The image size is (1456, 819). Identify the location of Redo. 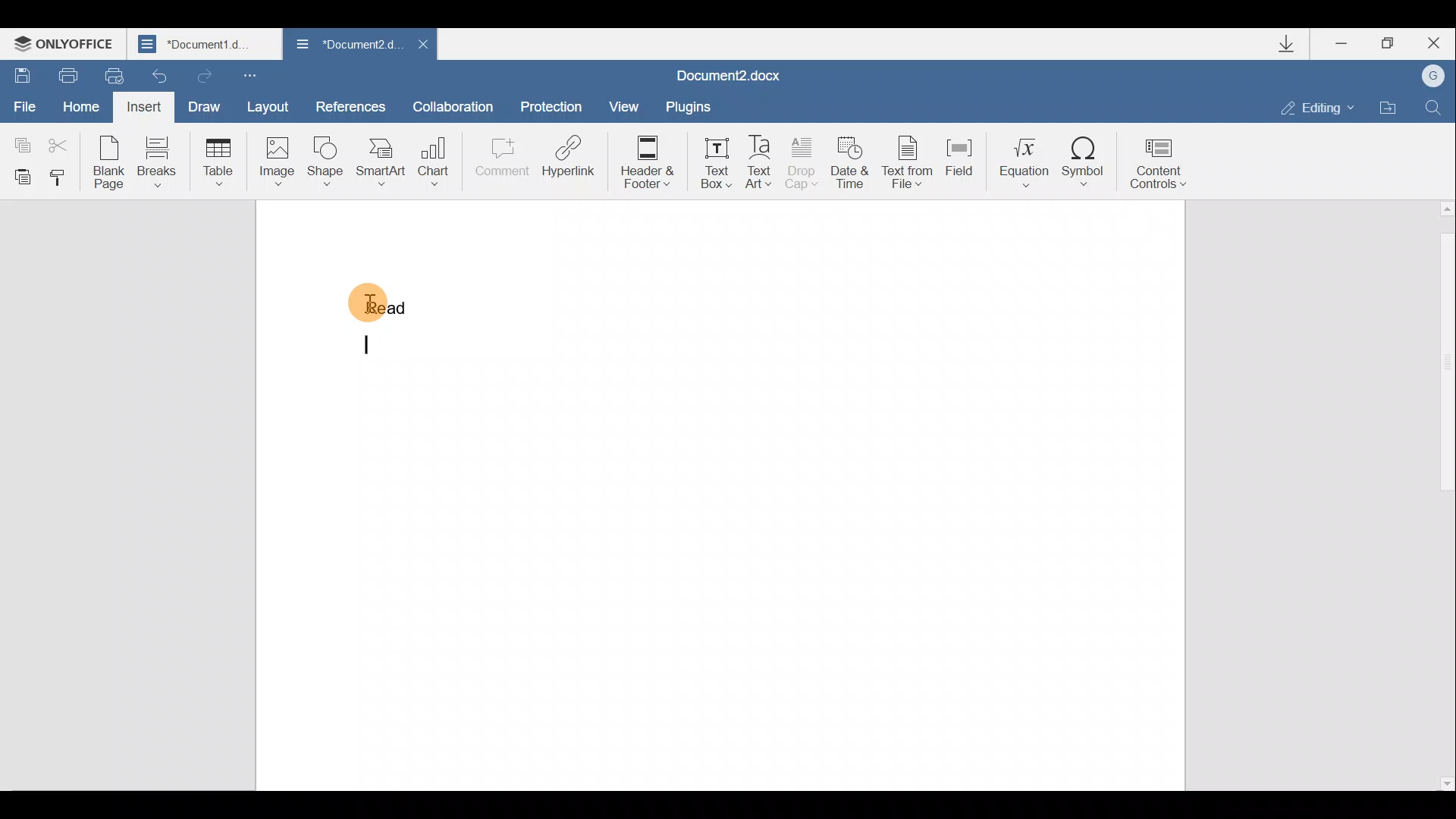
(204, 75).